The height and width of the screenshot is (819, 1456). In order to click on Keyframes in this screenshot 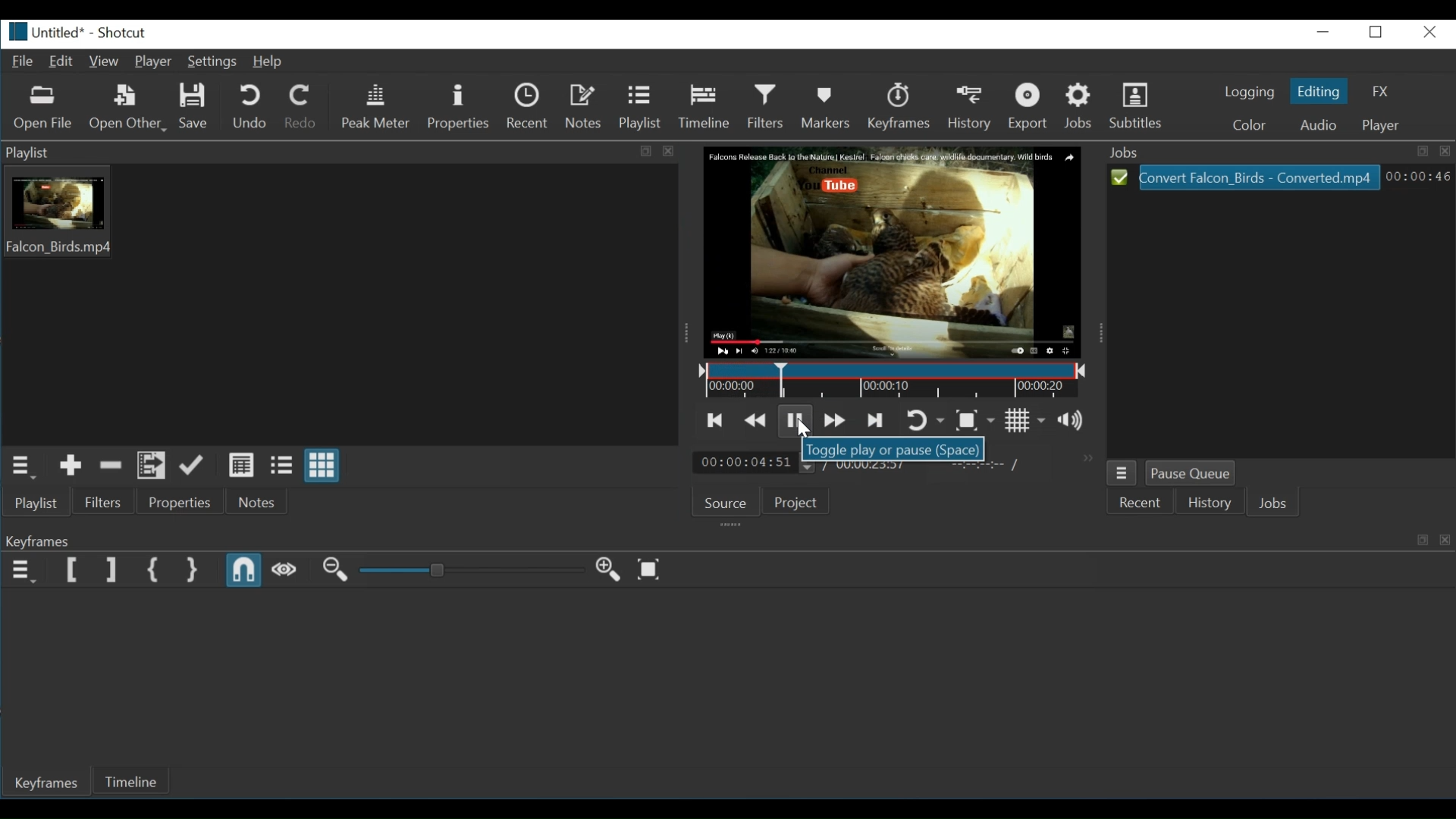, I will do `click(899, 106)`.